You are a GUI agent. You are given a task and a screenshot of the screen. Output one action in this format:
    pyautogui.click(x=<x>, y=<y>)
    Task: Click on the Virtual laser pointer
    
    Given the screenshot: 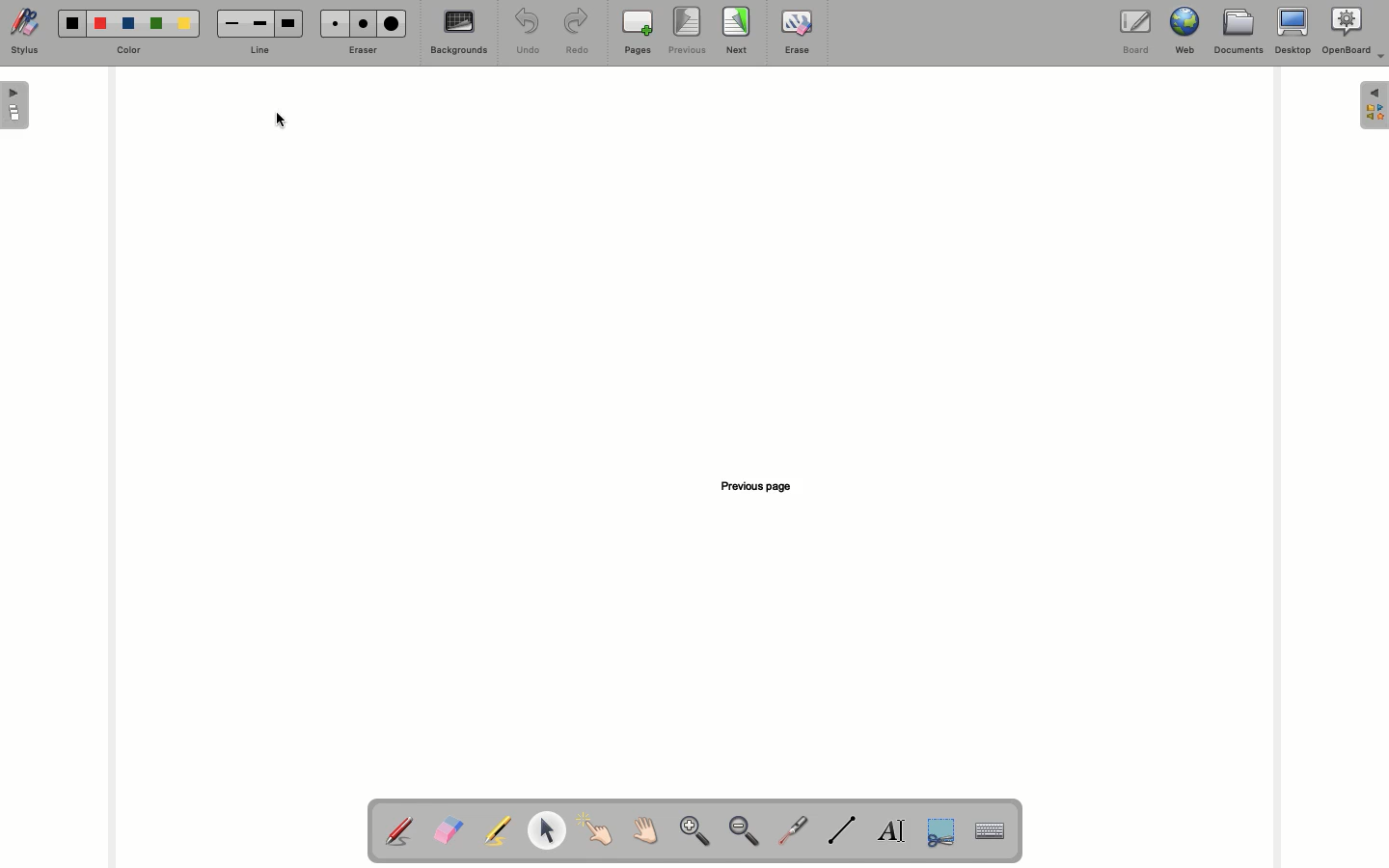 What is the action you would take?
    pyautogui.click(x=790, y=830)
    